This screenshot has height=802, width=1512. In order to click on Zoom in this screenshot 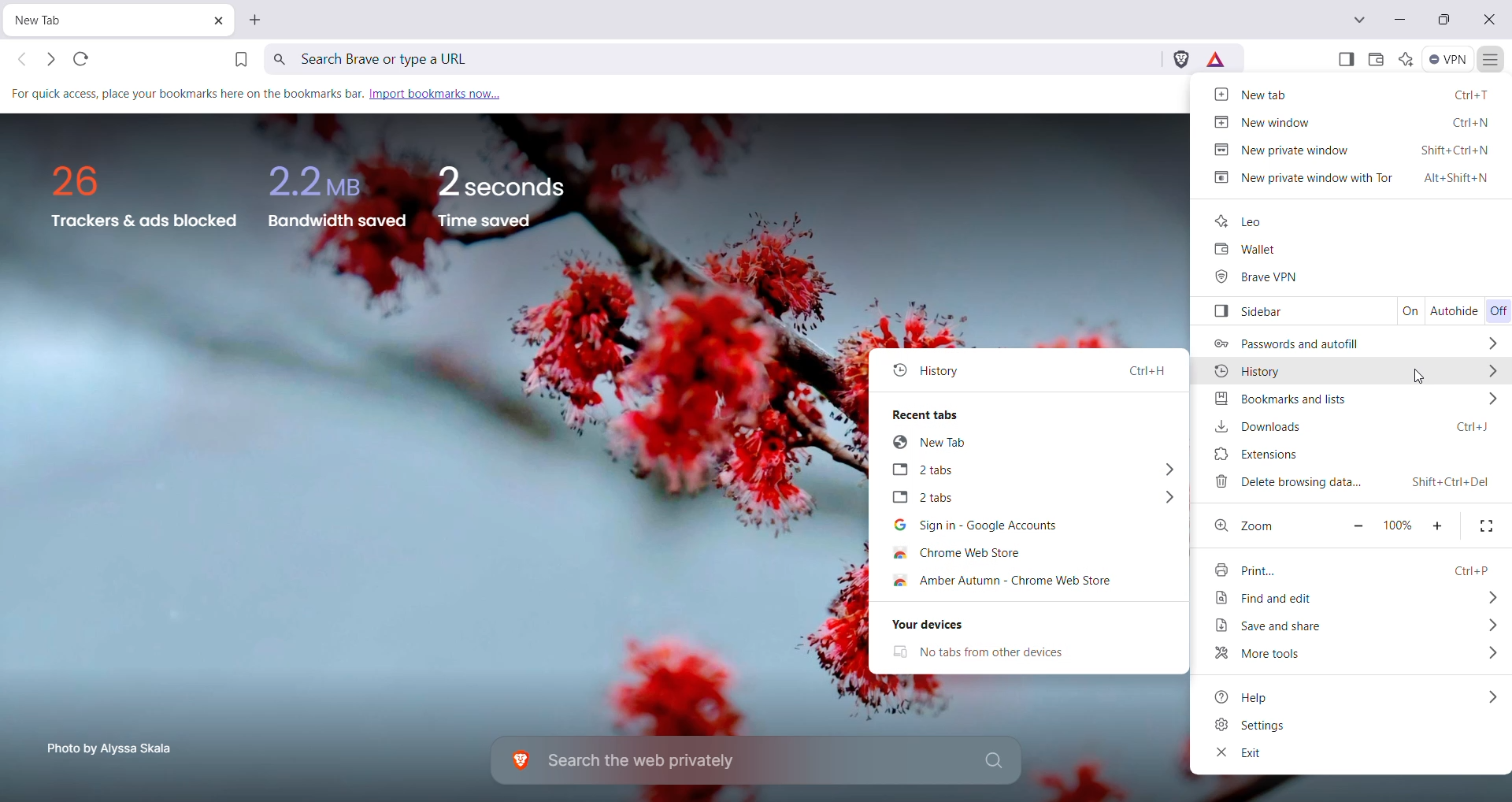, I will do `click(1248, 524)`.